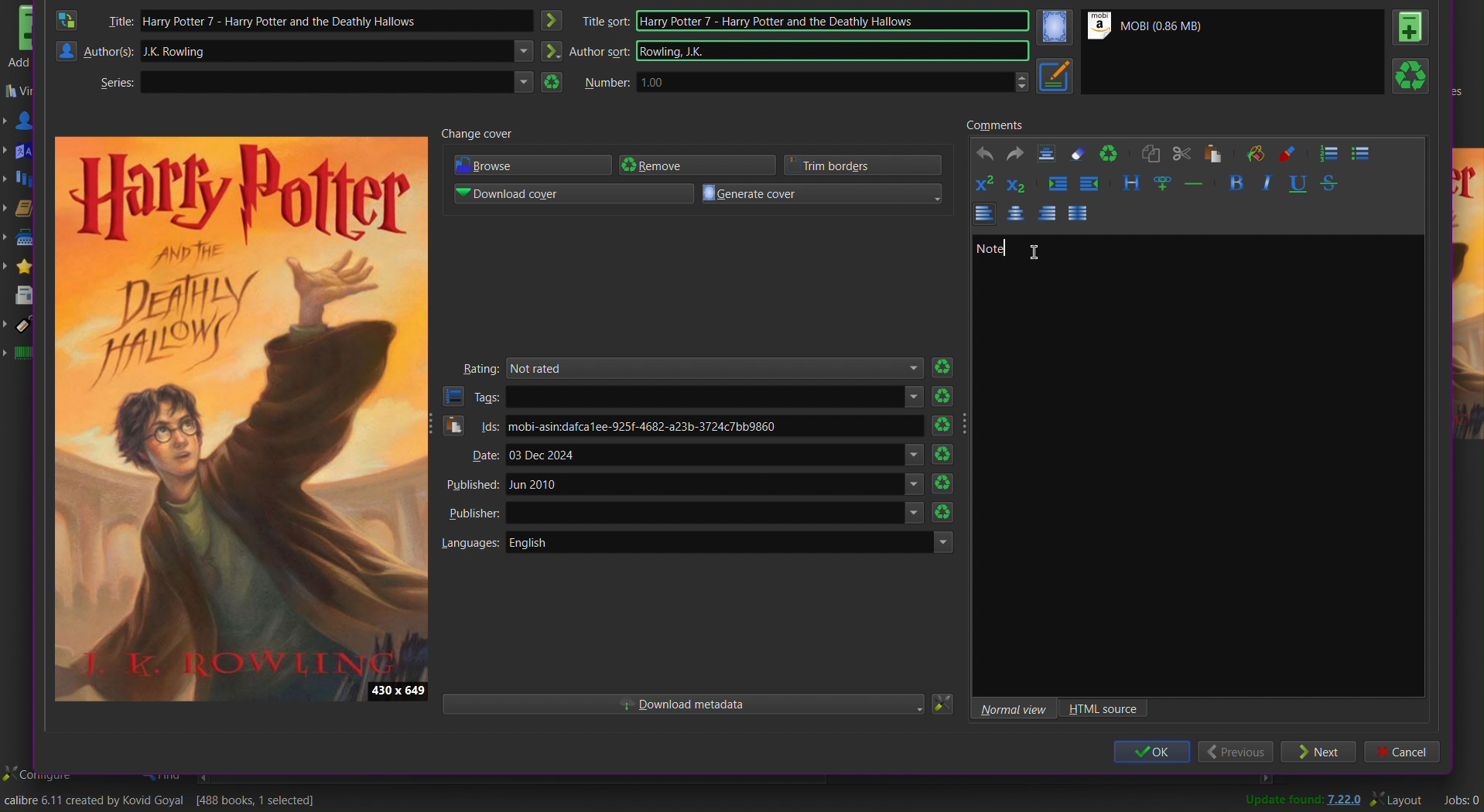  Describe the element at coordinates (683, 705) in the screenshot. I see `Download metadata` at that location.